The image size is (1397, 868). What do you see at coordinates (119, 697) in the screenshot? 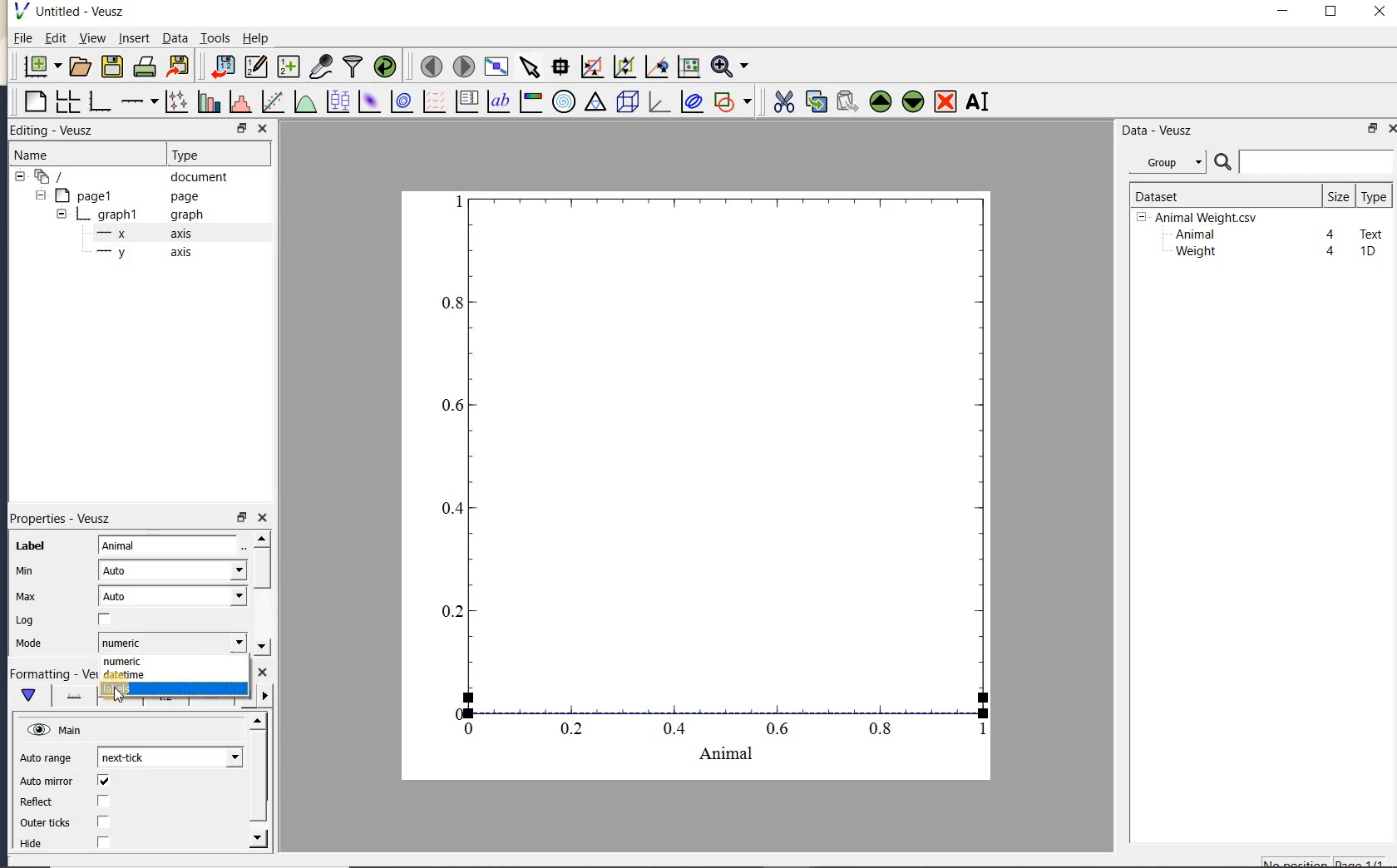
I see `cursor` at bounding box center [119, 697].